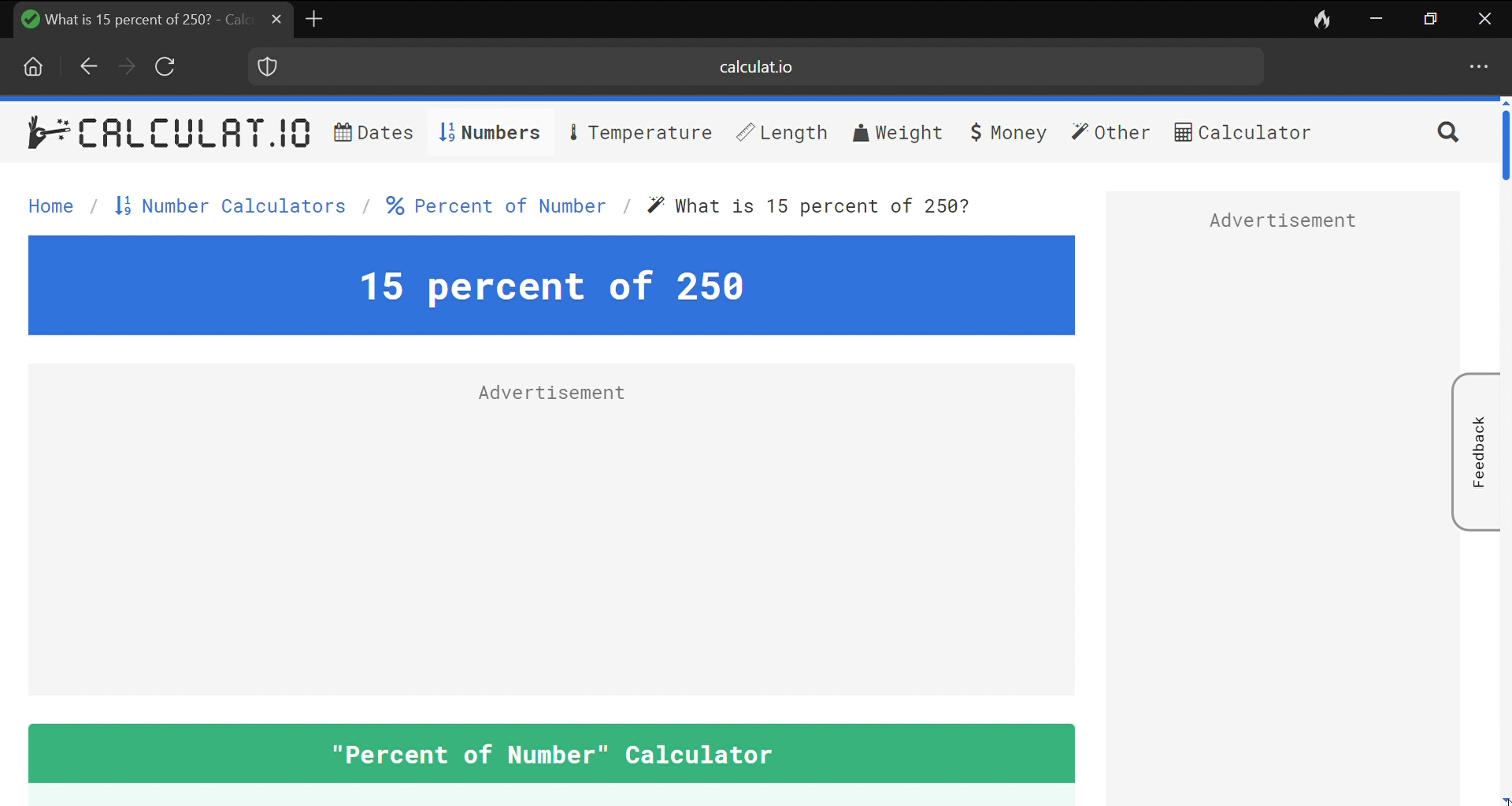 The height and width of the screenshot is (806, 1512). I want to click on Go back, so click(86, 65).